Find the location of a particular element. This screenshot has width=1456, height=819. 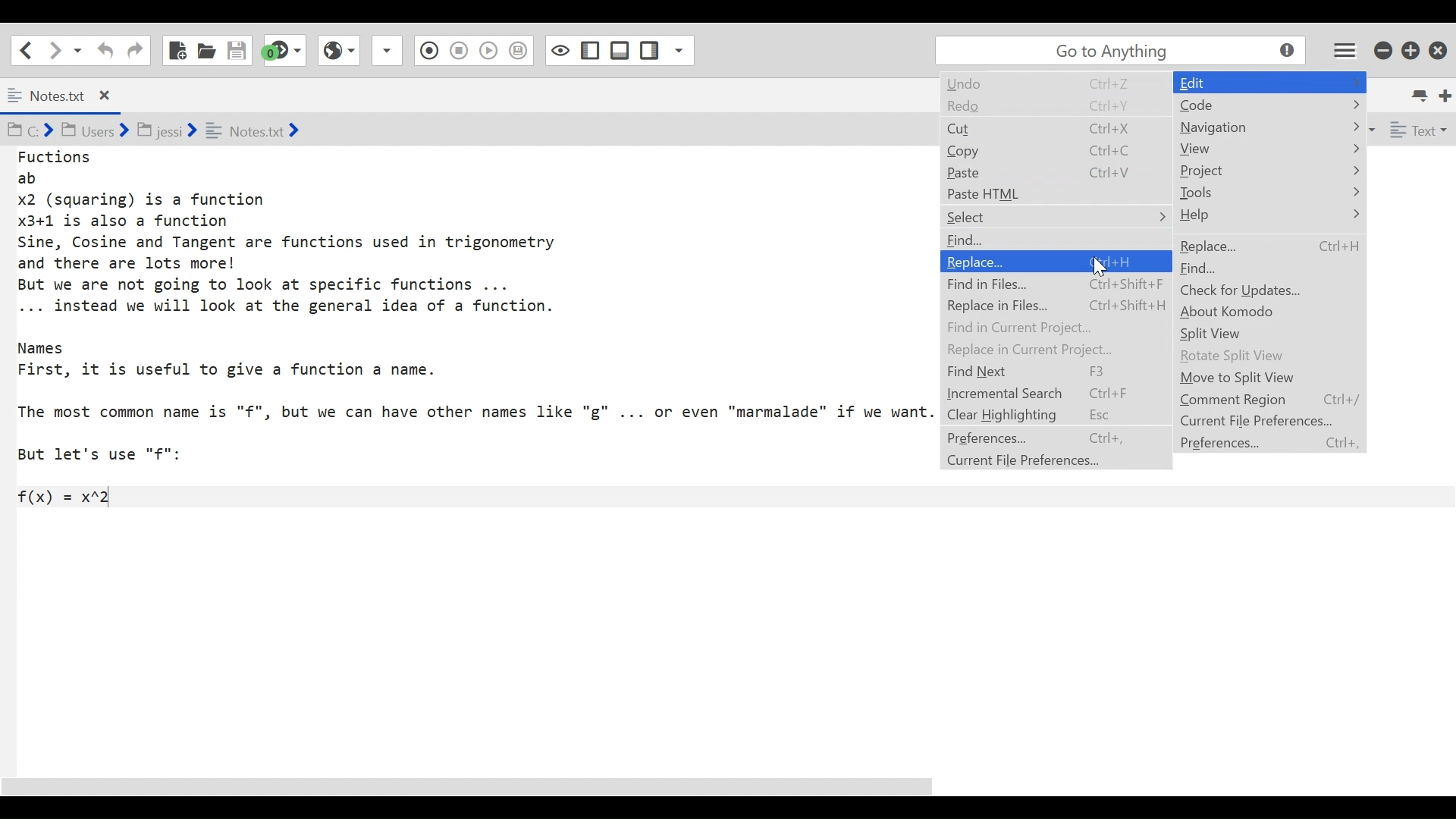

Save File is located at coordinates (238, 50).